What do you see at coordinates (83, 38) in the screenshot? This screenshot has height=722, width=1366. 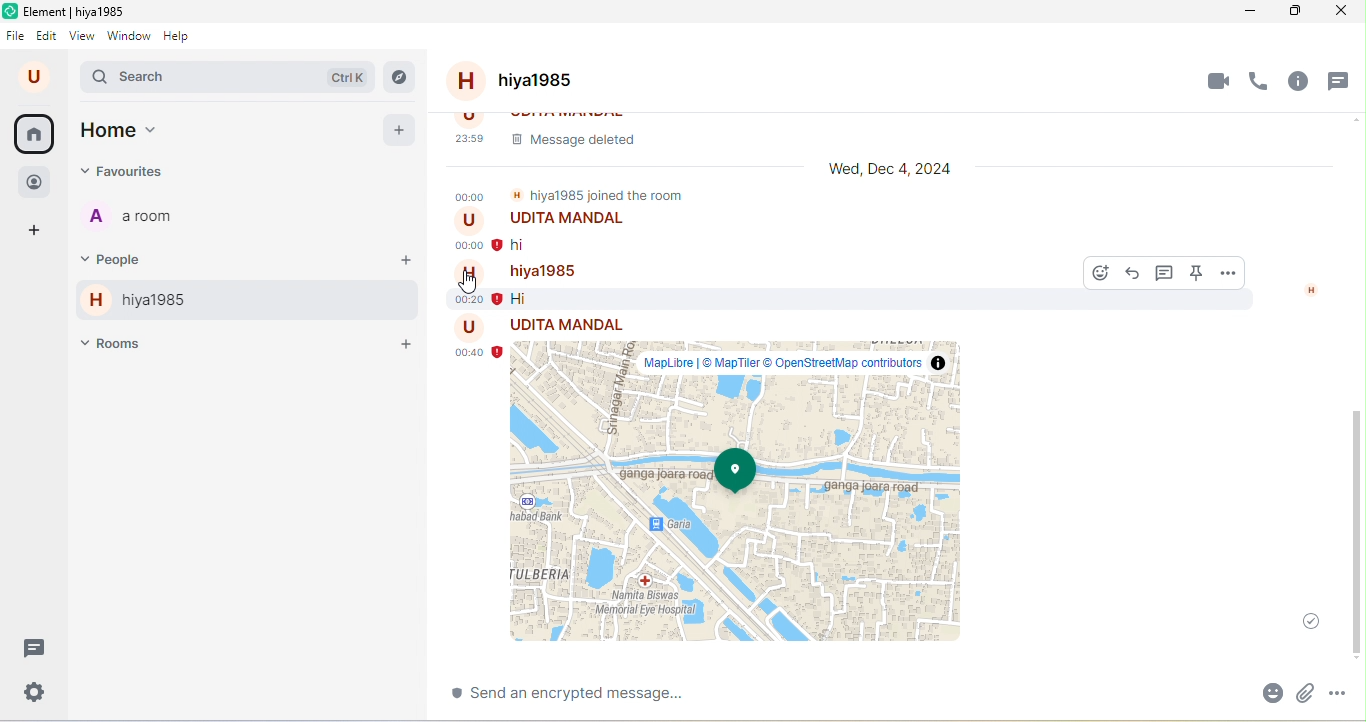 I see `view` at bounding box center [83, 38].